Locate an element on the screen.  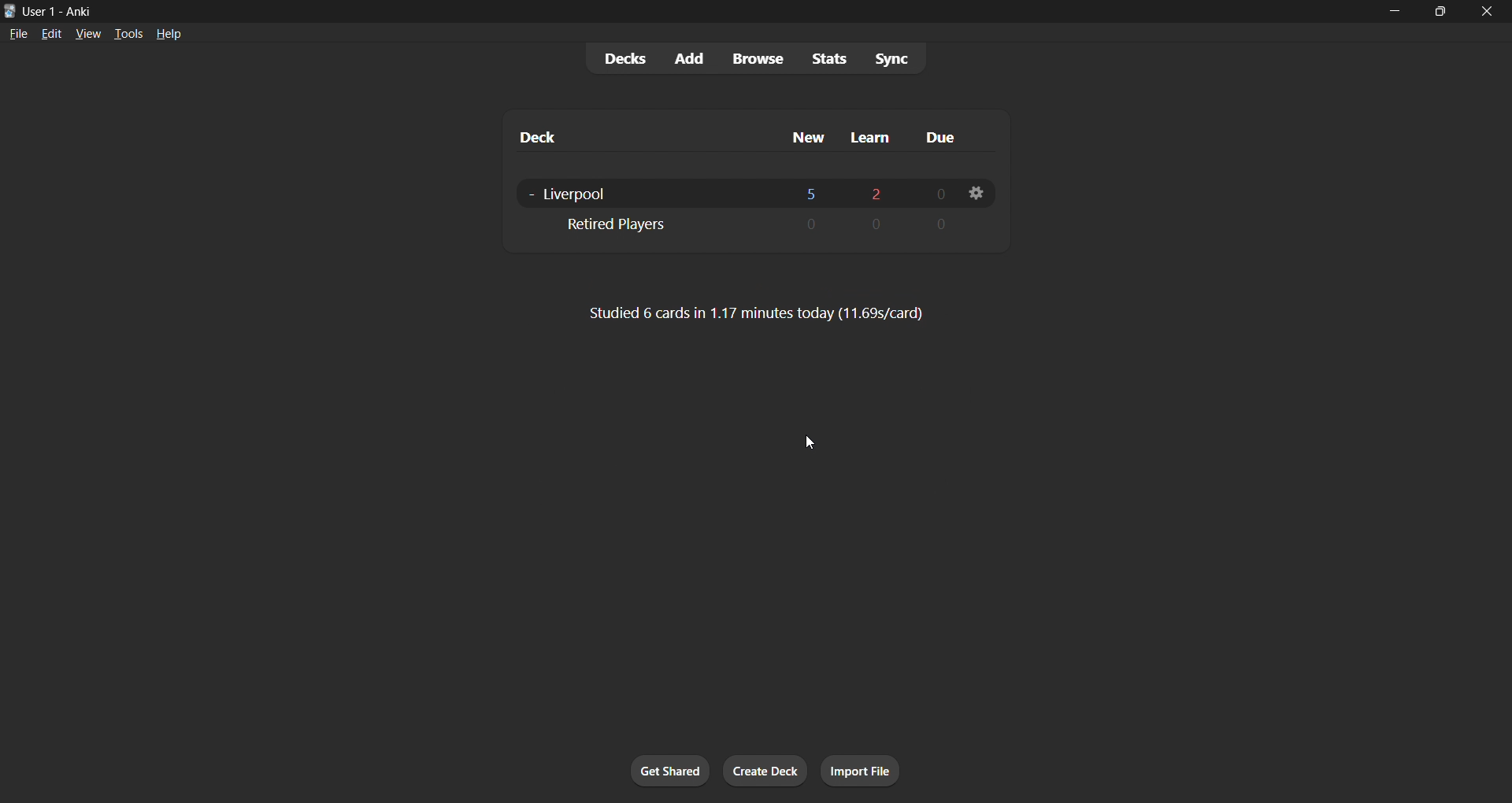
sync is located at coordinates (897, 56).